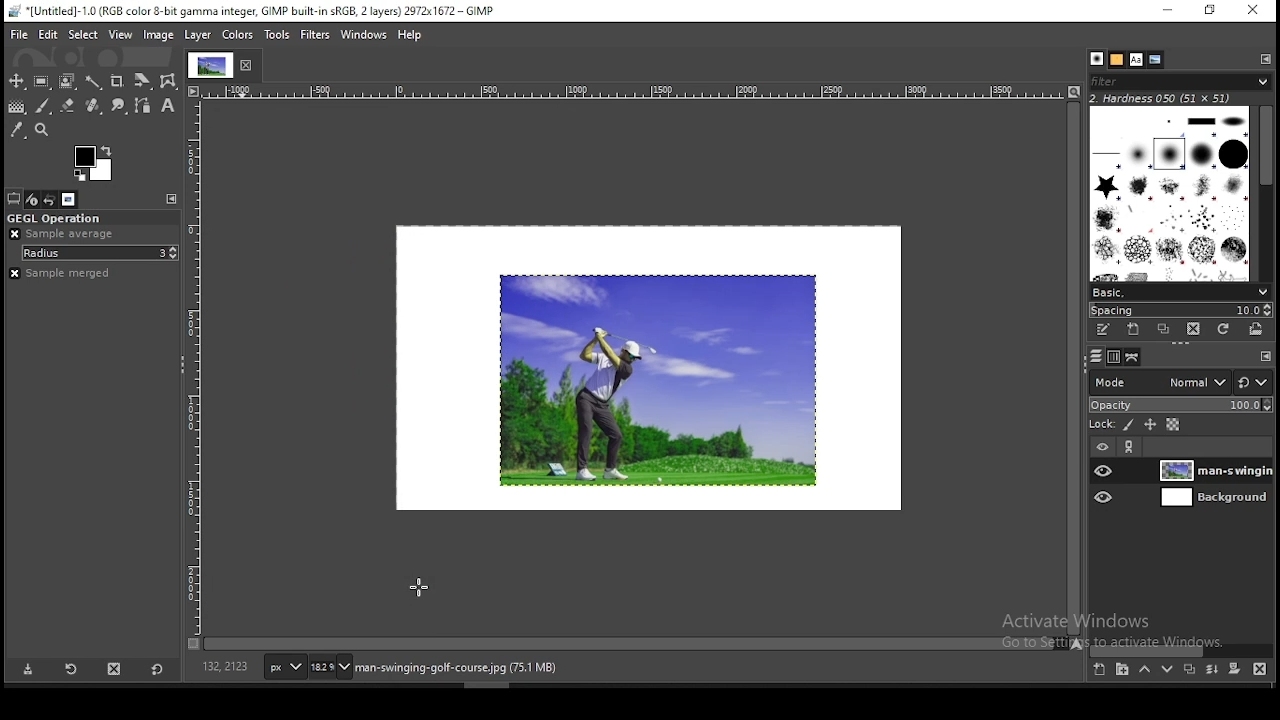 The width and height of the screenshot is (1280, 720). What do you see at coordinates (113, 670) in the screenshot?
I see `delete tool preset` at bounding box center [113, 670].